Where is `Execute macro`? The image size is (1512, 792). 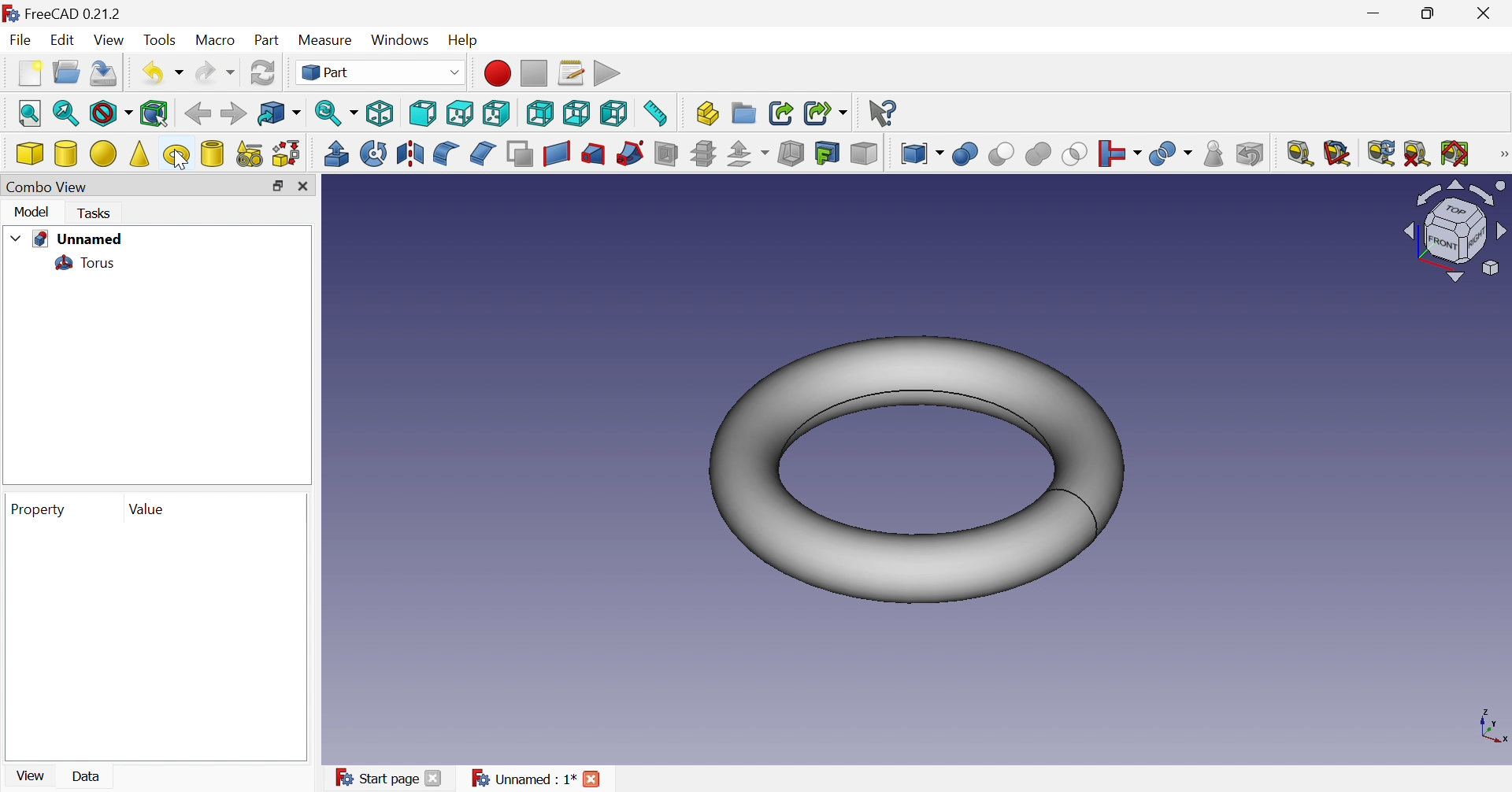
Execute macro is located at coordinates (610, 73).